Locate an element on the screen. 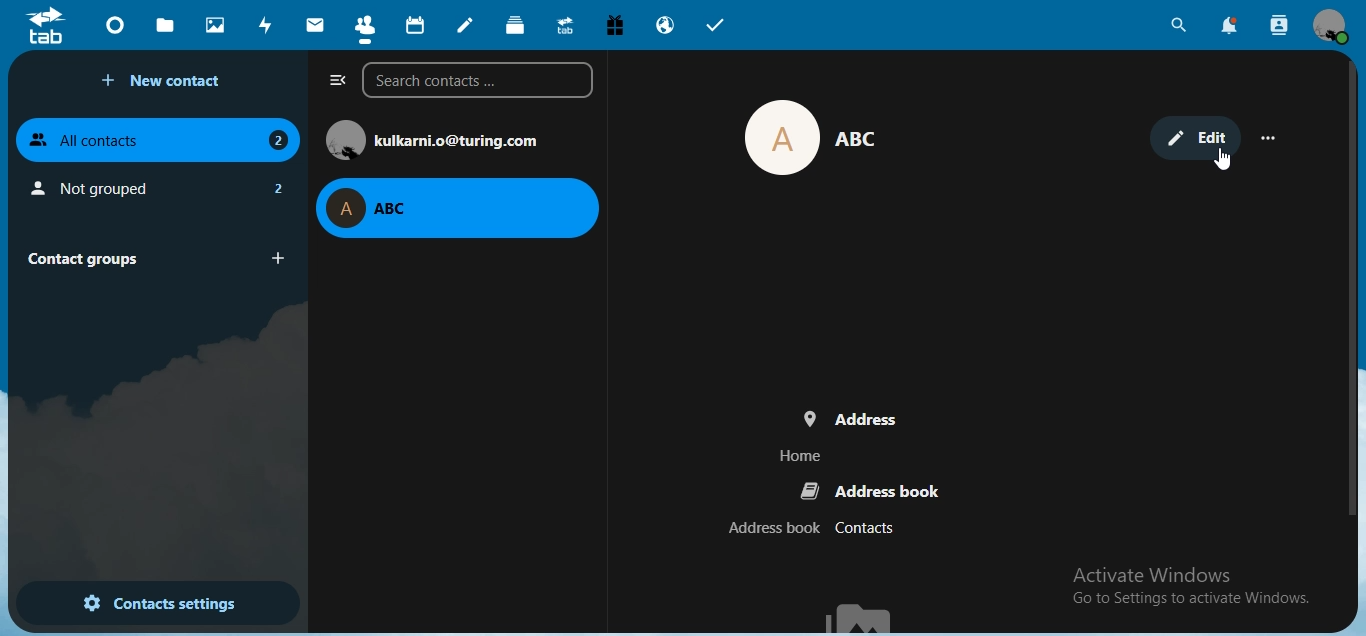  calendar is located at coordinates (413, 23).